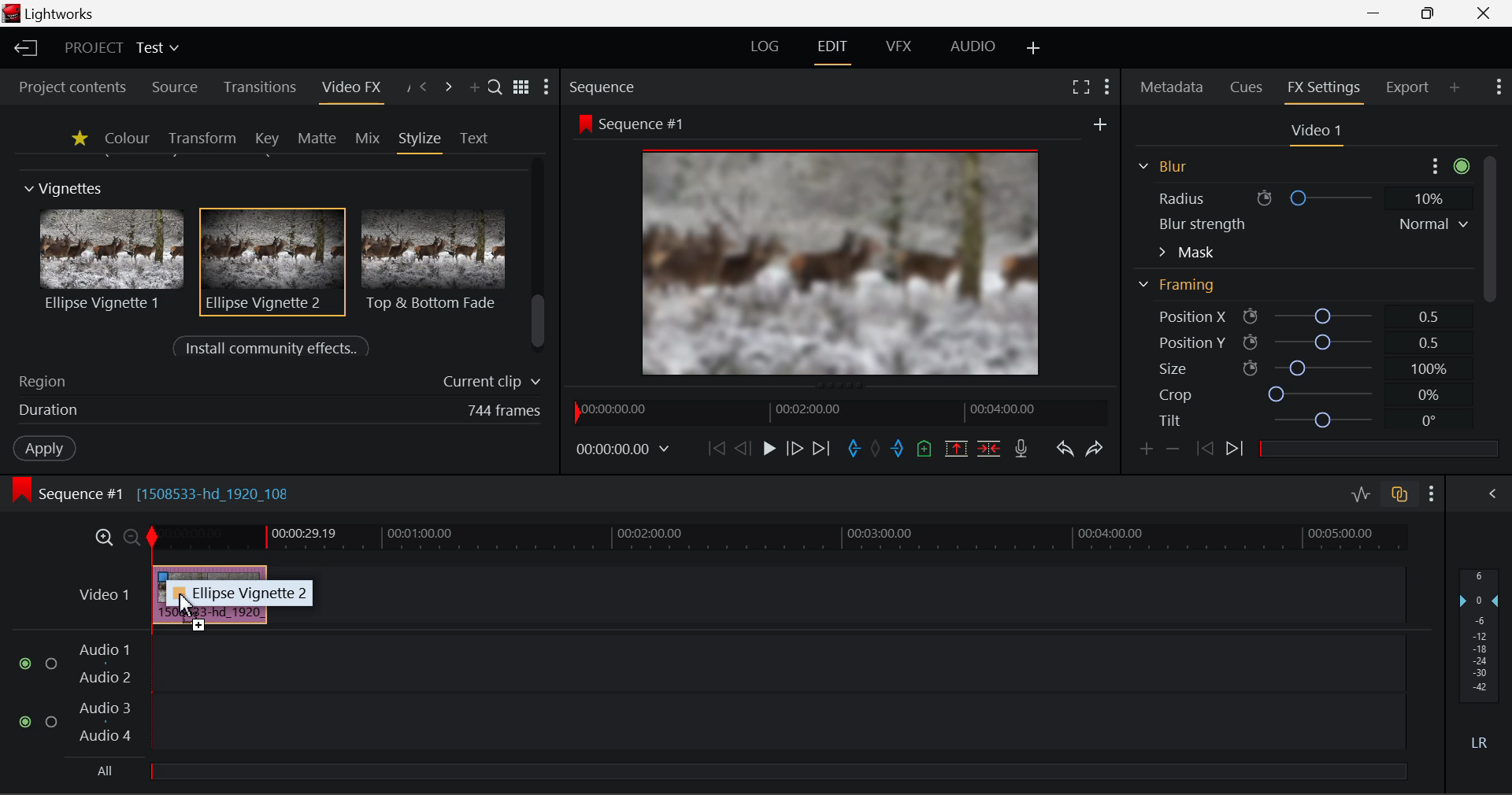 The width and height of the screenshot is (1512, 795). Describe the element at coordinates (836, 49) in the screenshot. I see `Edit Layout Open` at that location.